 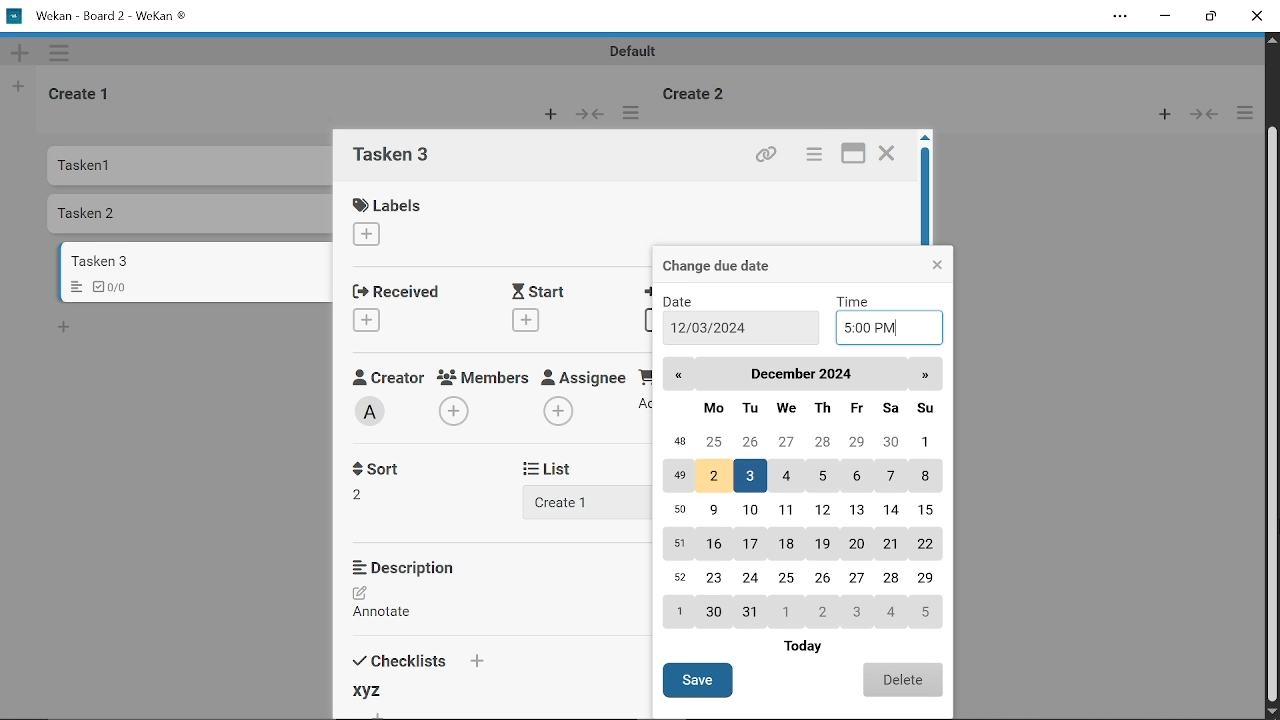 I want to click on Tasken 2, so click(x=132, y=214).